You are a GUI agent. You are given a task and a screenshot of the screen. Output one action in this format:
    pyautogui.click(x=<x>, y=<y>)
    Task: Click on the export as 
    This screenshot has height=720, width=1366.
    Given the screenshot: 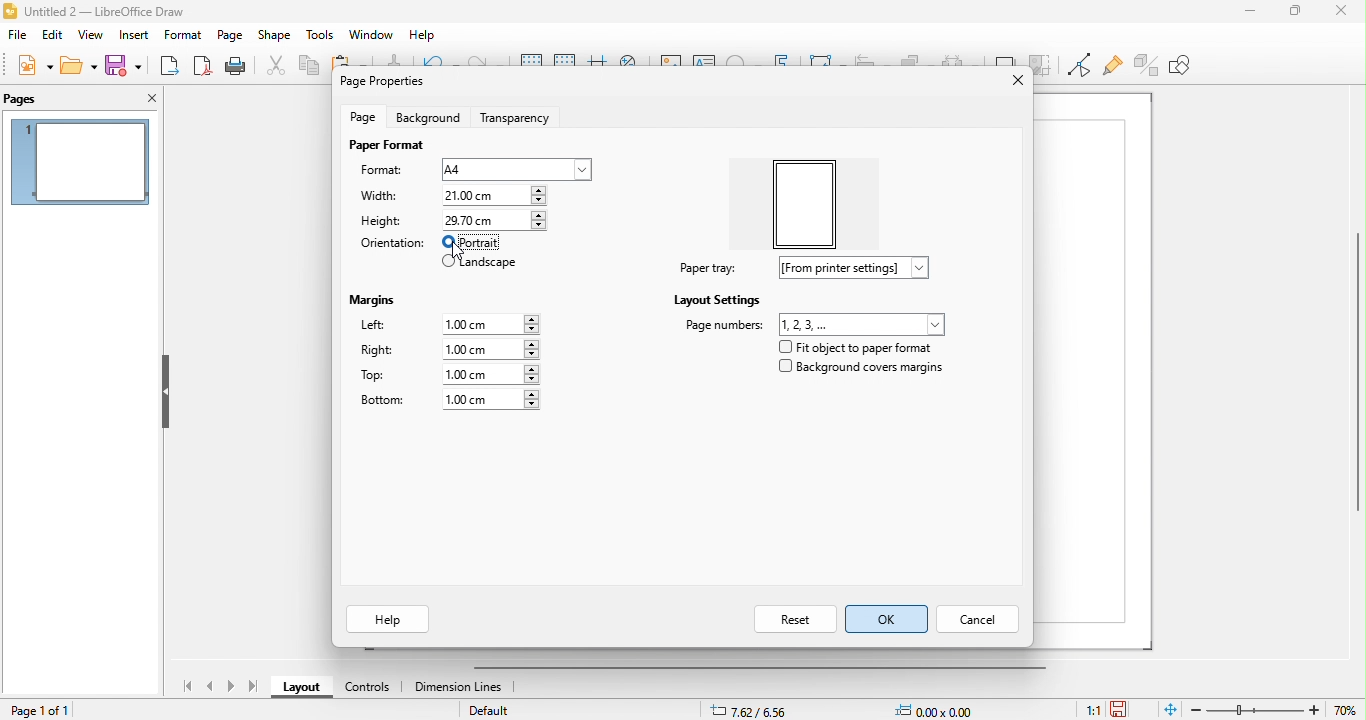 What is the action you would take?
    pyautogui.click(x=170, y=66)
    